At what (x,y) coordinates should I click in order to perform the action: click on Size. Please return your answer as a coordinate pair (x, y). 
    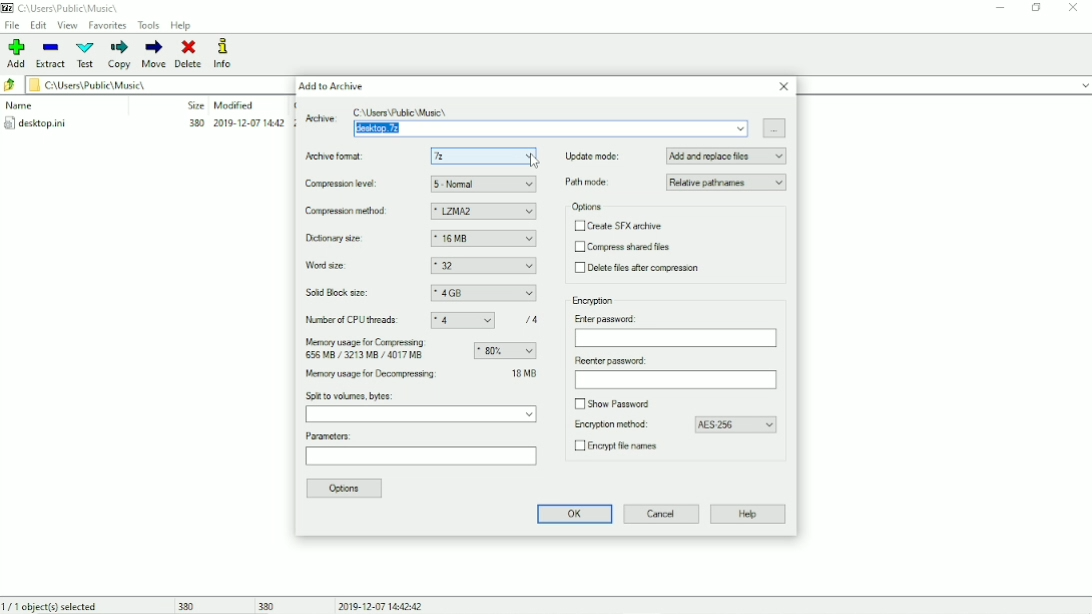
    Looking at the image, I should click on (192, 105).